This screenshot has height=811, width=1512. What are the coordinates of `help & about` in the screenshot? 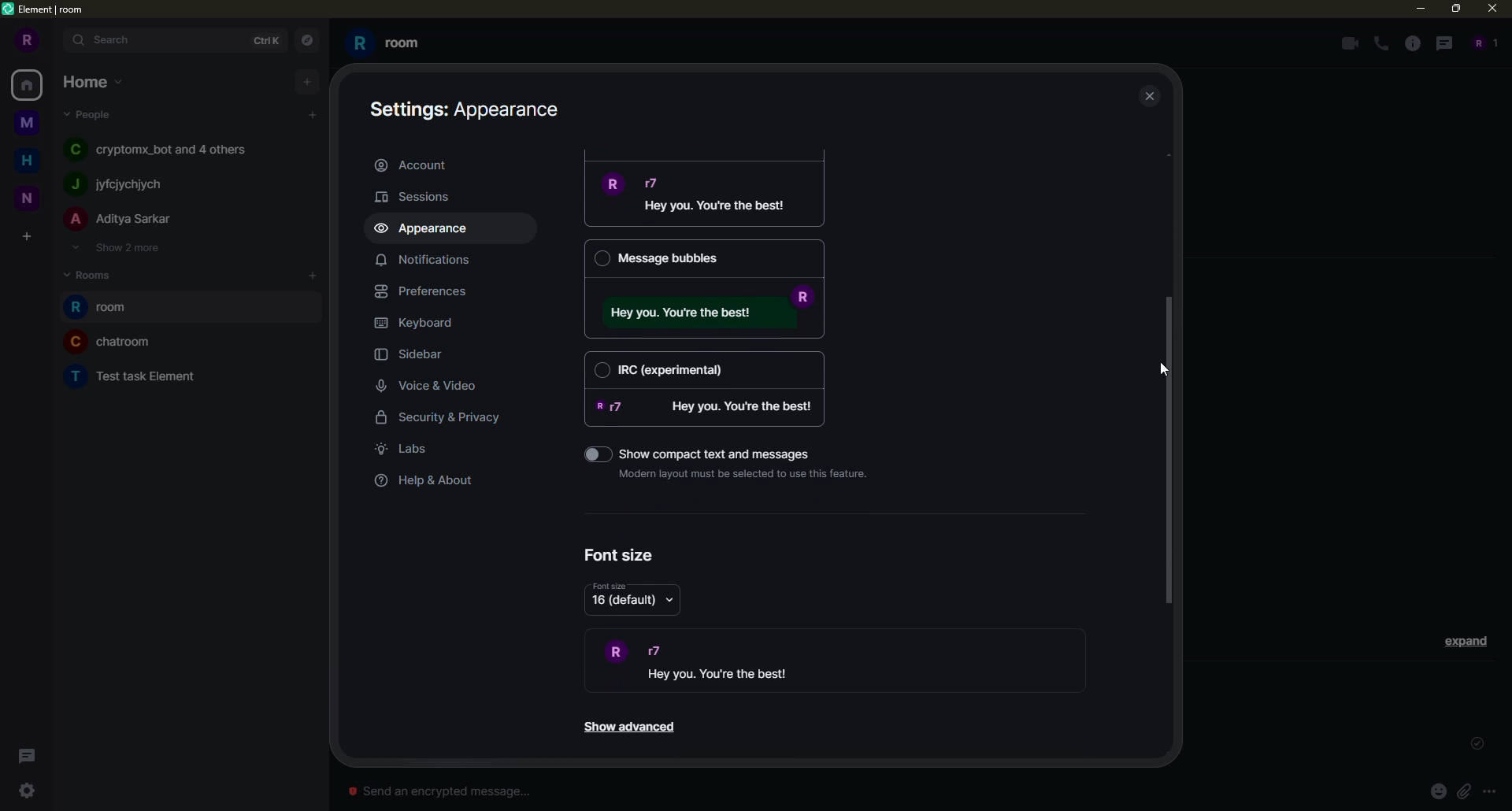 It's located at (426, 481).